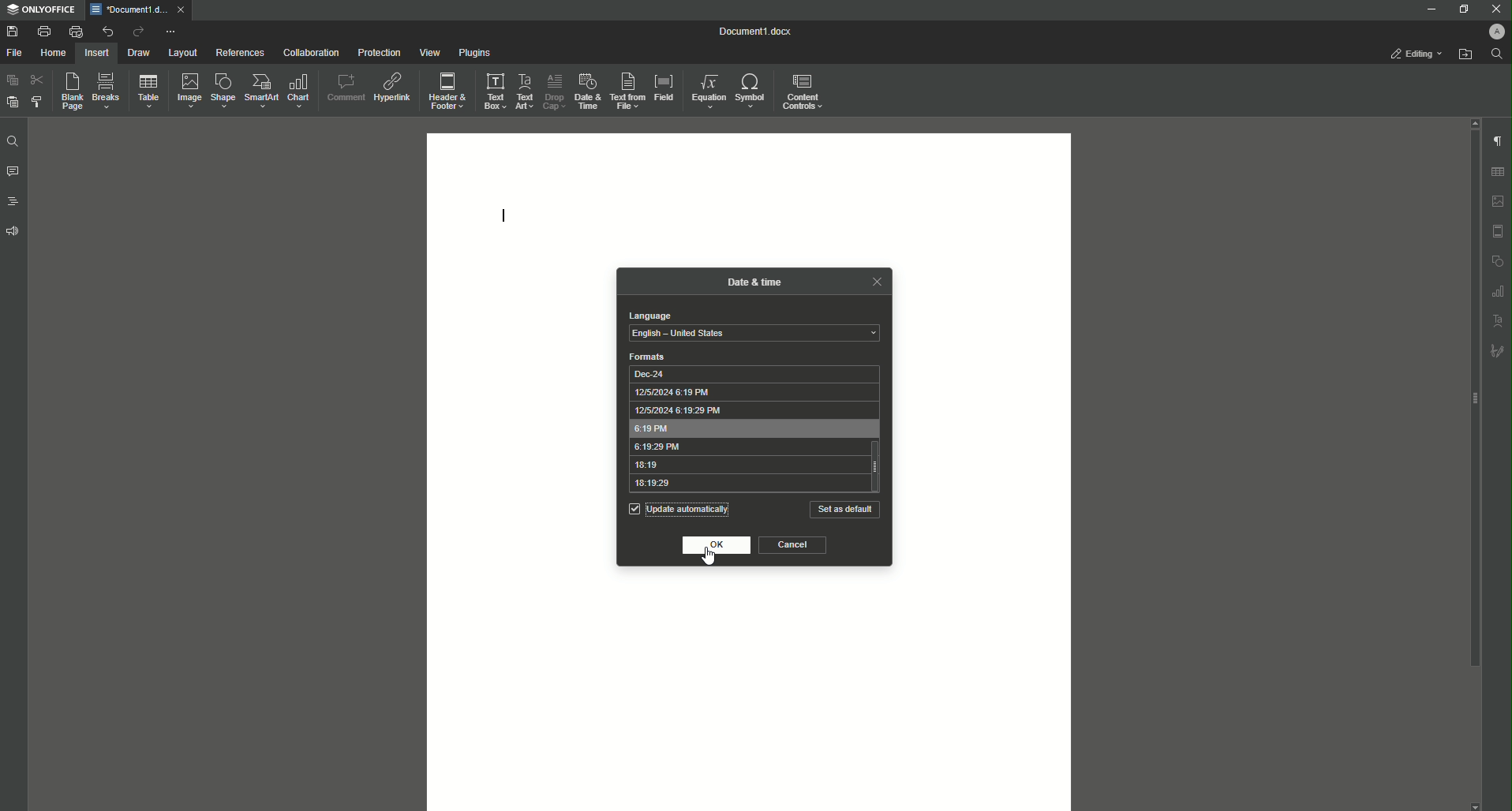 The width and height of the screenshot is (1512, 811). What do you see at coordinates (472, 52) in the screenshot?
I see `Plugins` at bounding box center [472, 52].